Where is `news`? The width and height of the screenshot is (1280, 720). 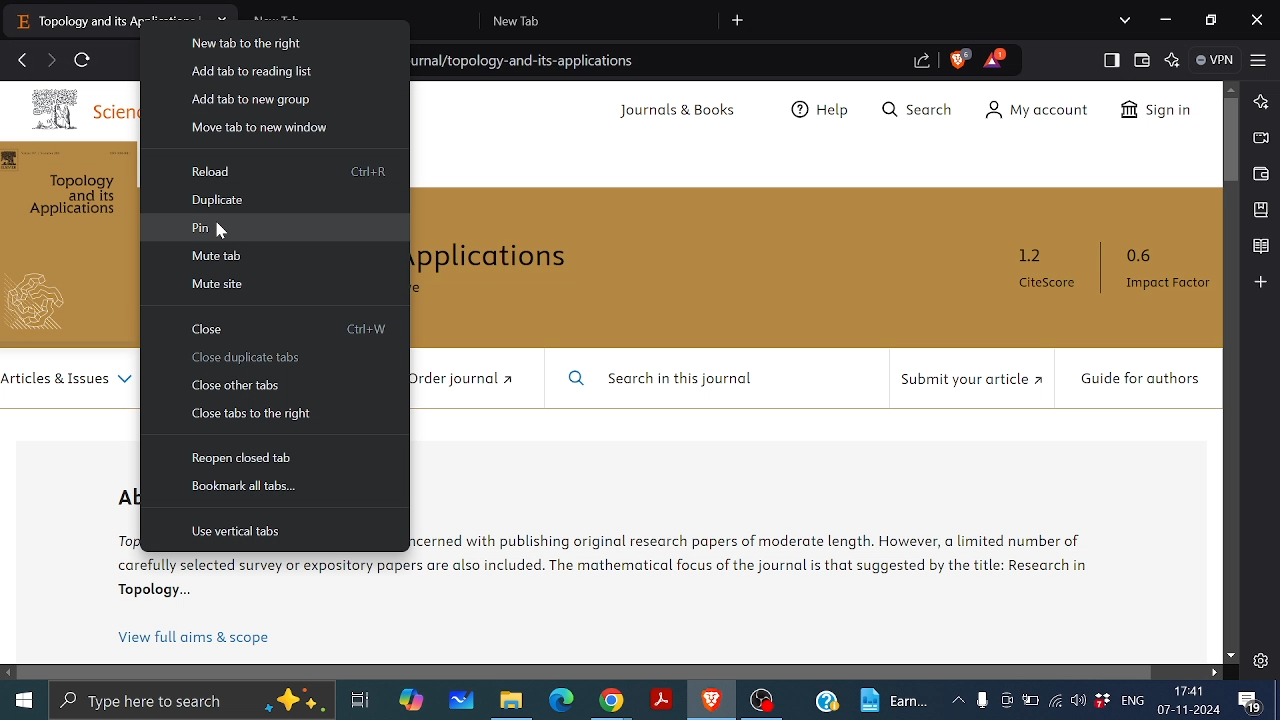 news is located at coordinates (897, 700).